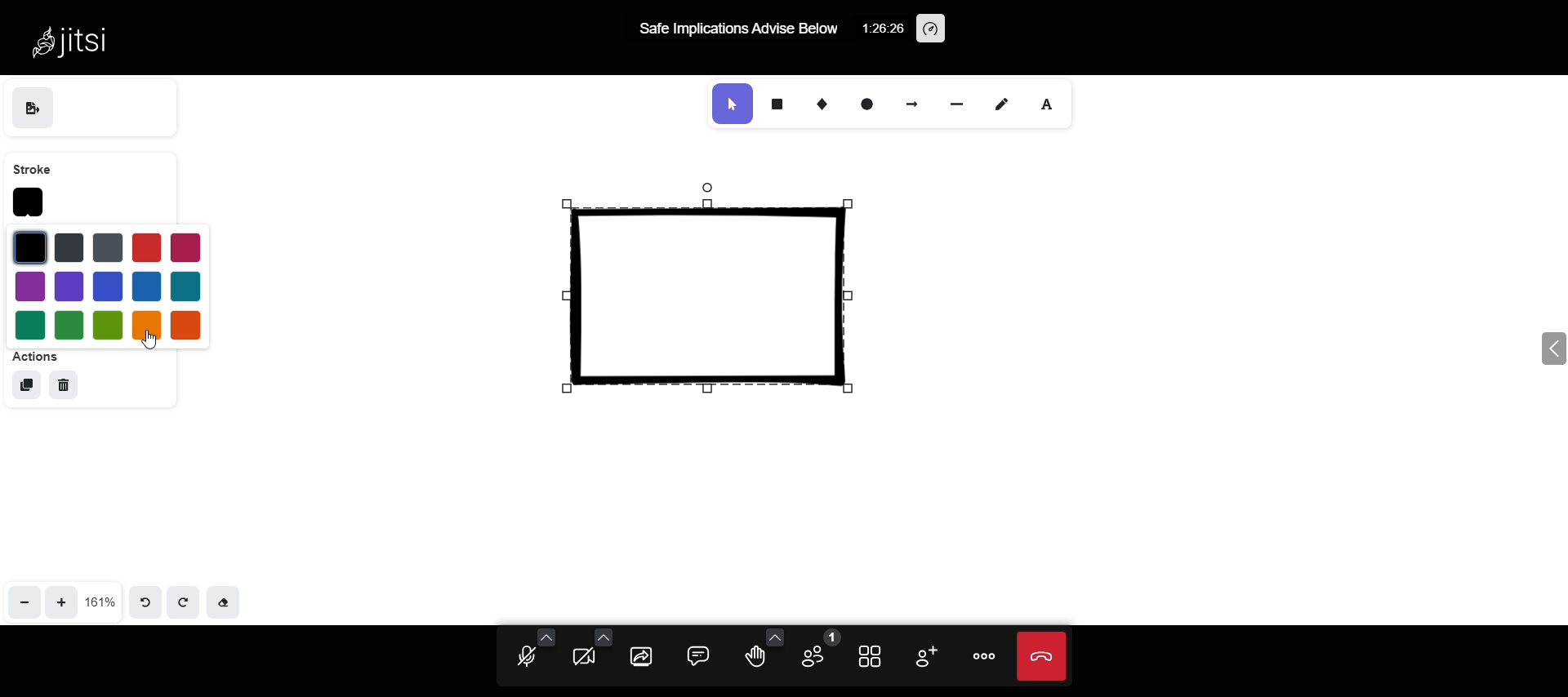  I want to click on more reaction, so click(771, 628).